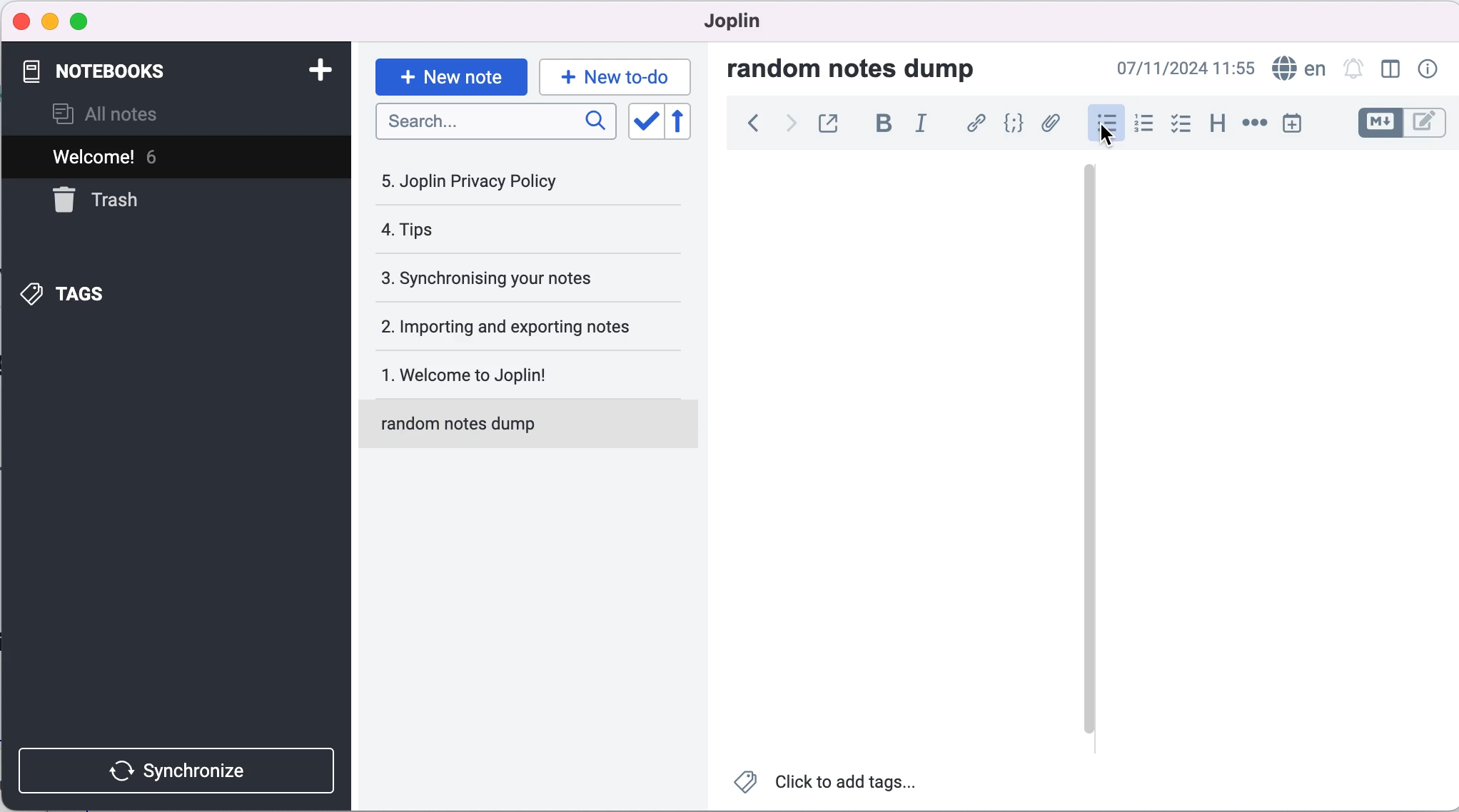  I want to click on tips, so click(493, 233).